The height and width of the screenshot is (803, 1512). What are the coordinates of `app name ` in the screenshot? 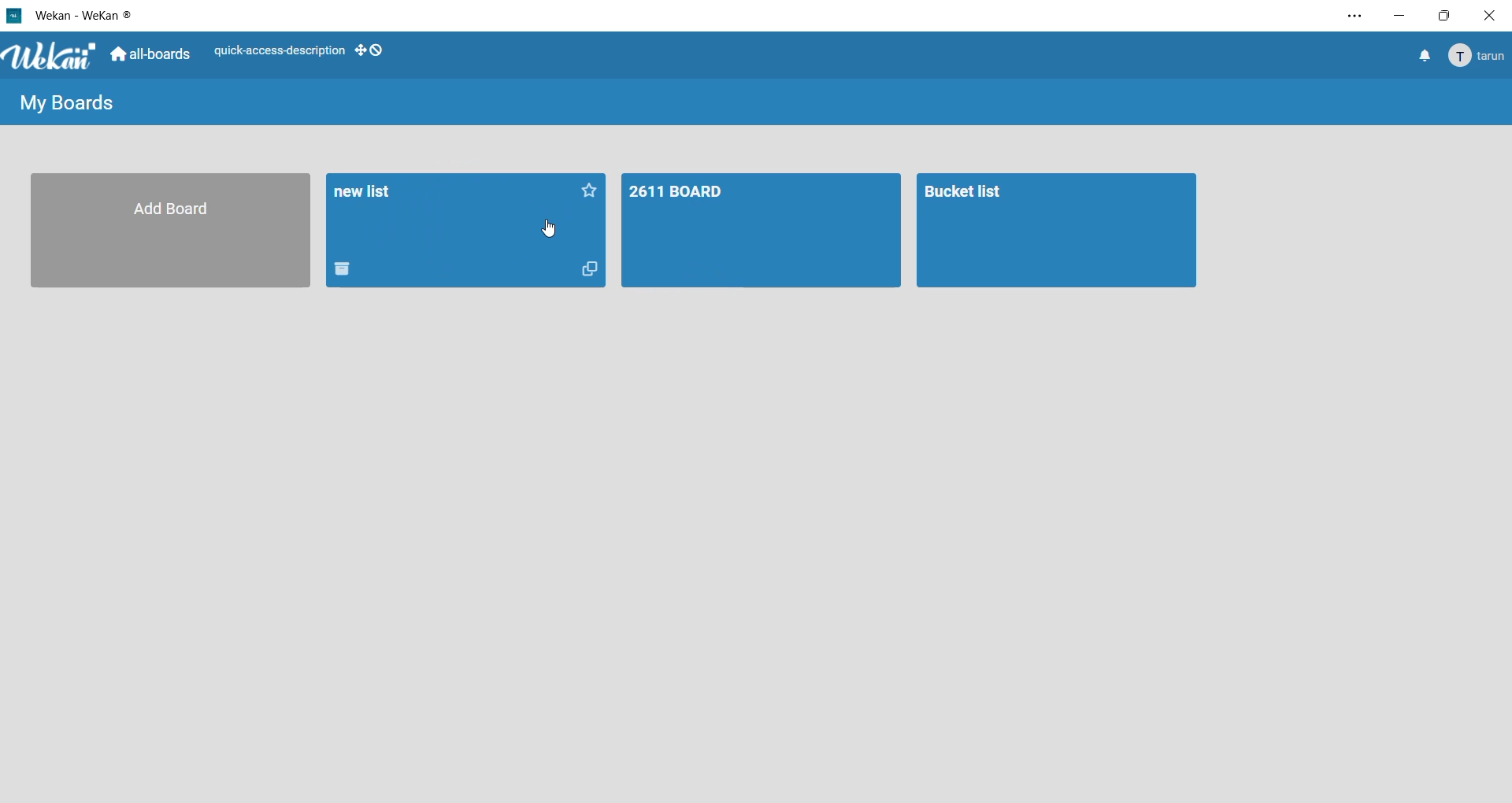 It's located at (86, 13).